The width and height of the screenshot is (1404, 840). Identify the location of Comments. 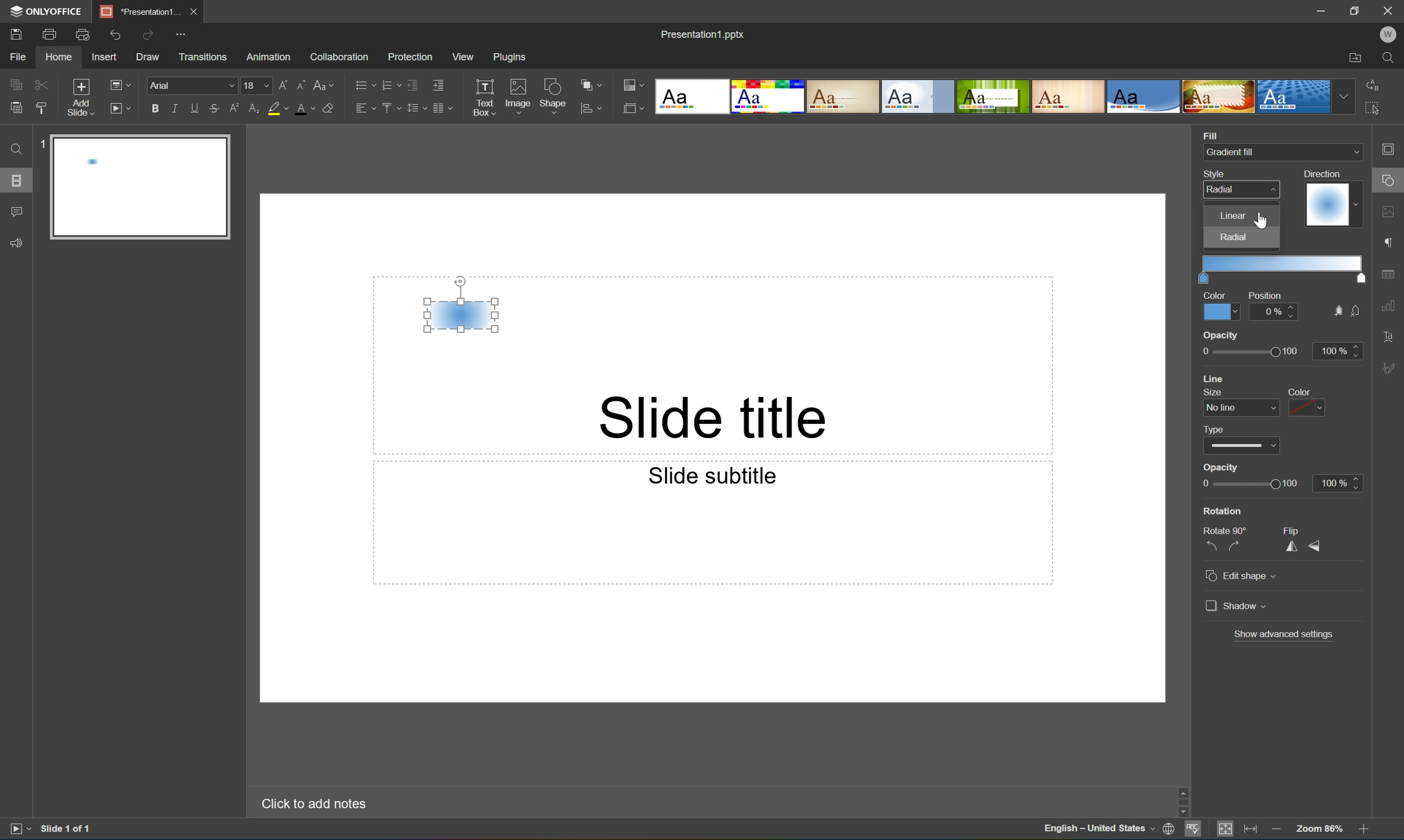
(16, 212).